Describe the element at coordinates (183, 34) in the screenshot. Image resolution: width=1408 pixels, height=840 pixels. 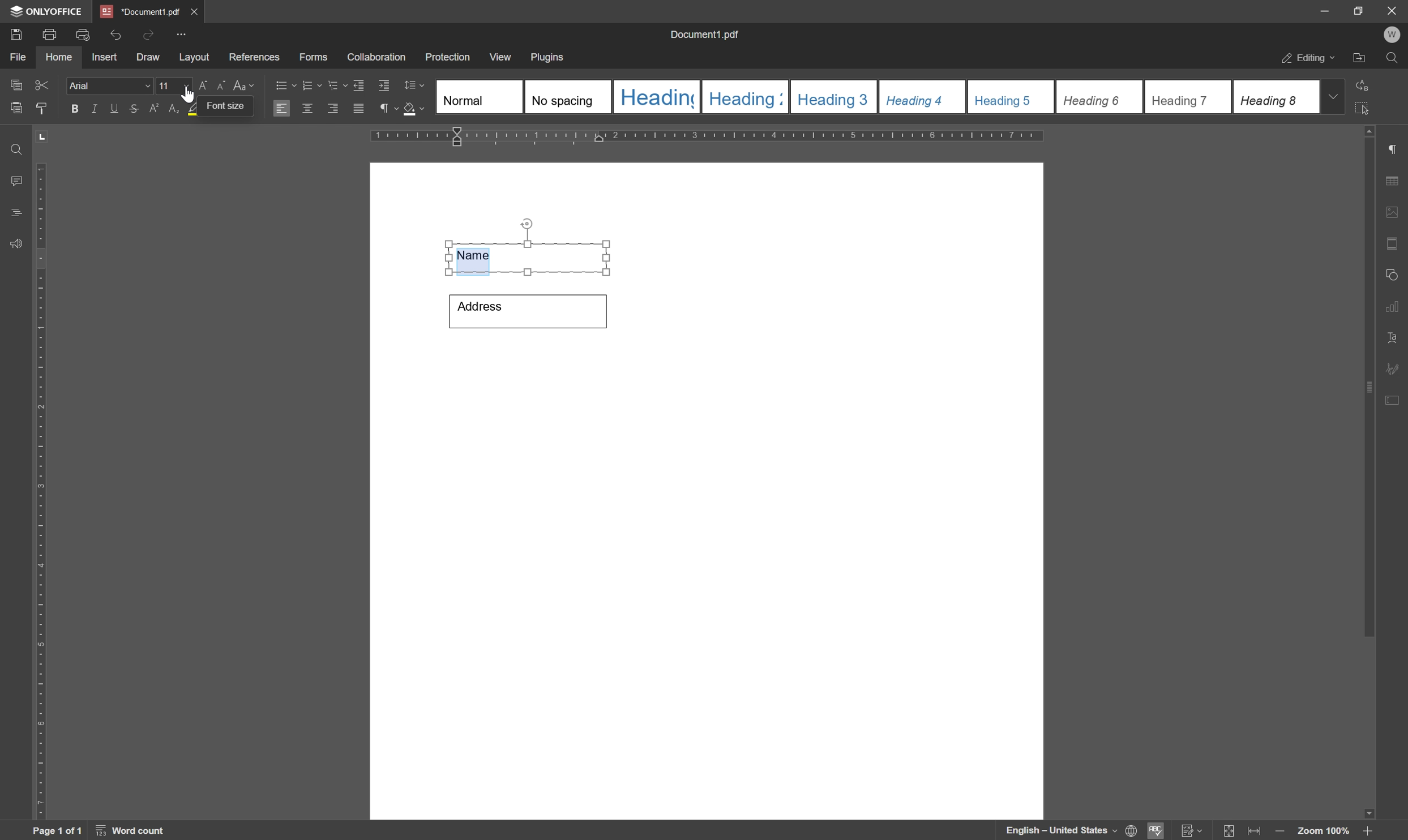
I see `customize quick access toolbar` at that location.